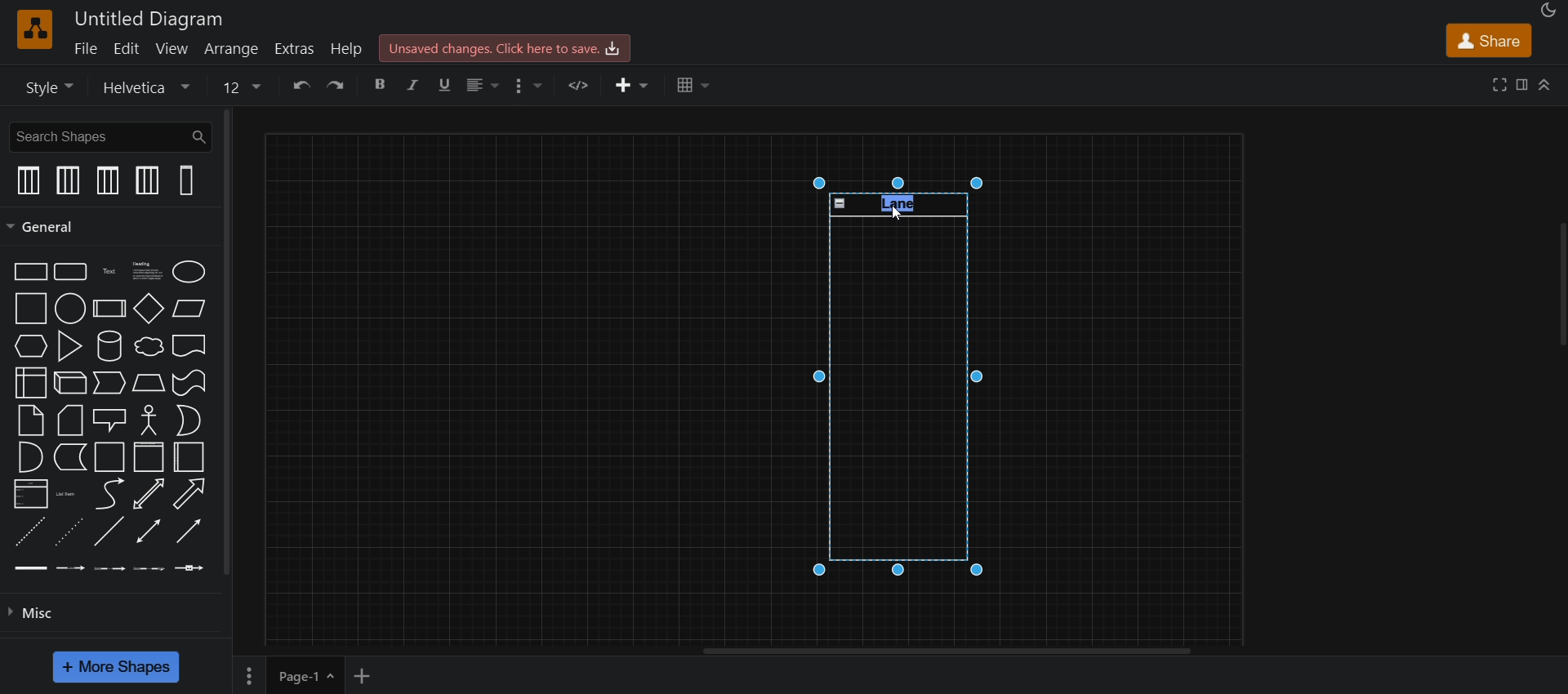 Image resolution: width=1568 pixels, height=694 pixels. I want to click on align, so click(486, 84).